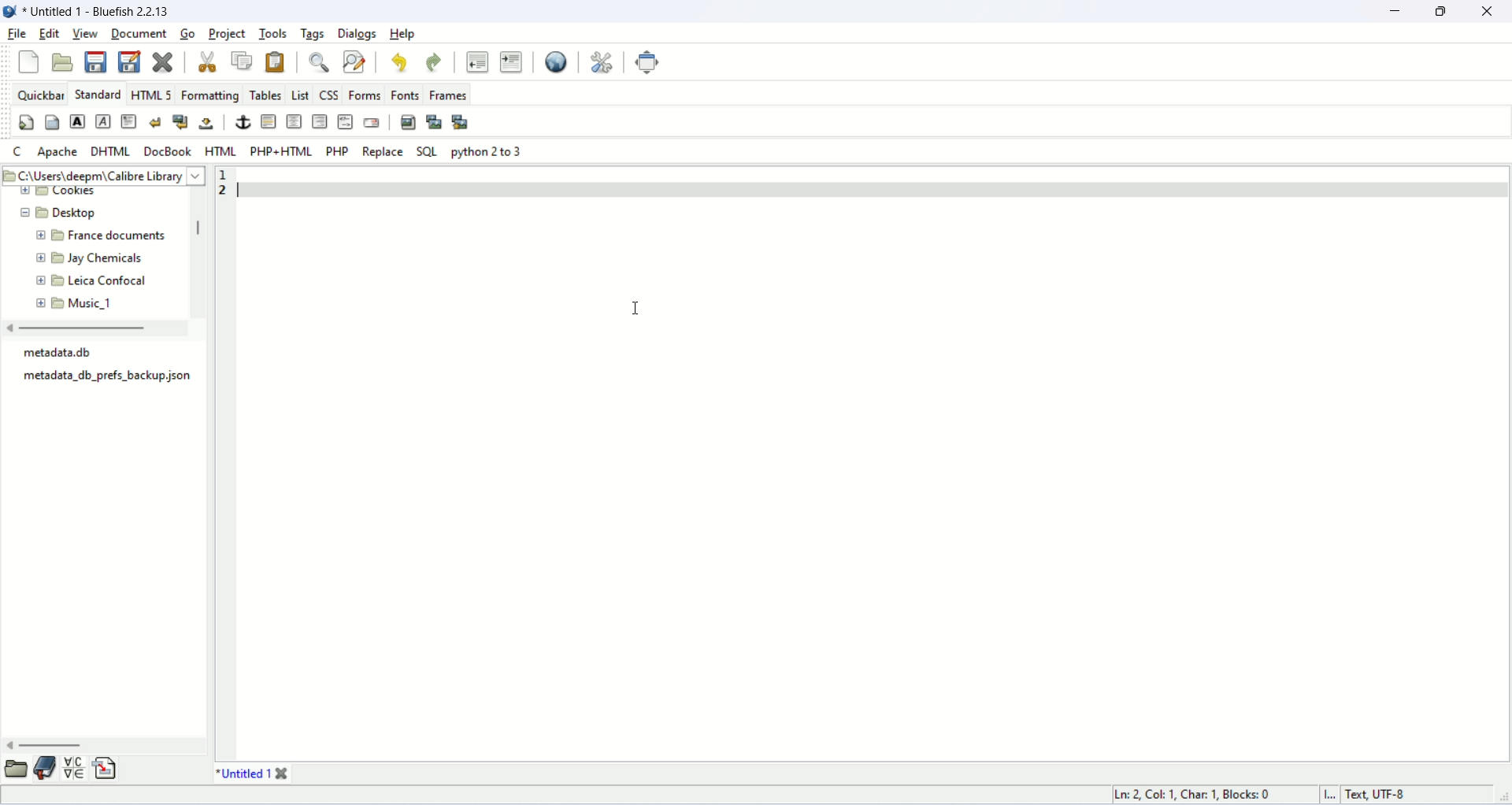 The image size is (1512, 805). Describe the element at coordinates (224, 464) in the screenshot. I see `line number` at that location.